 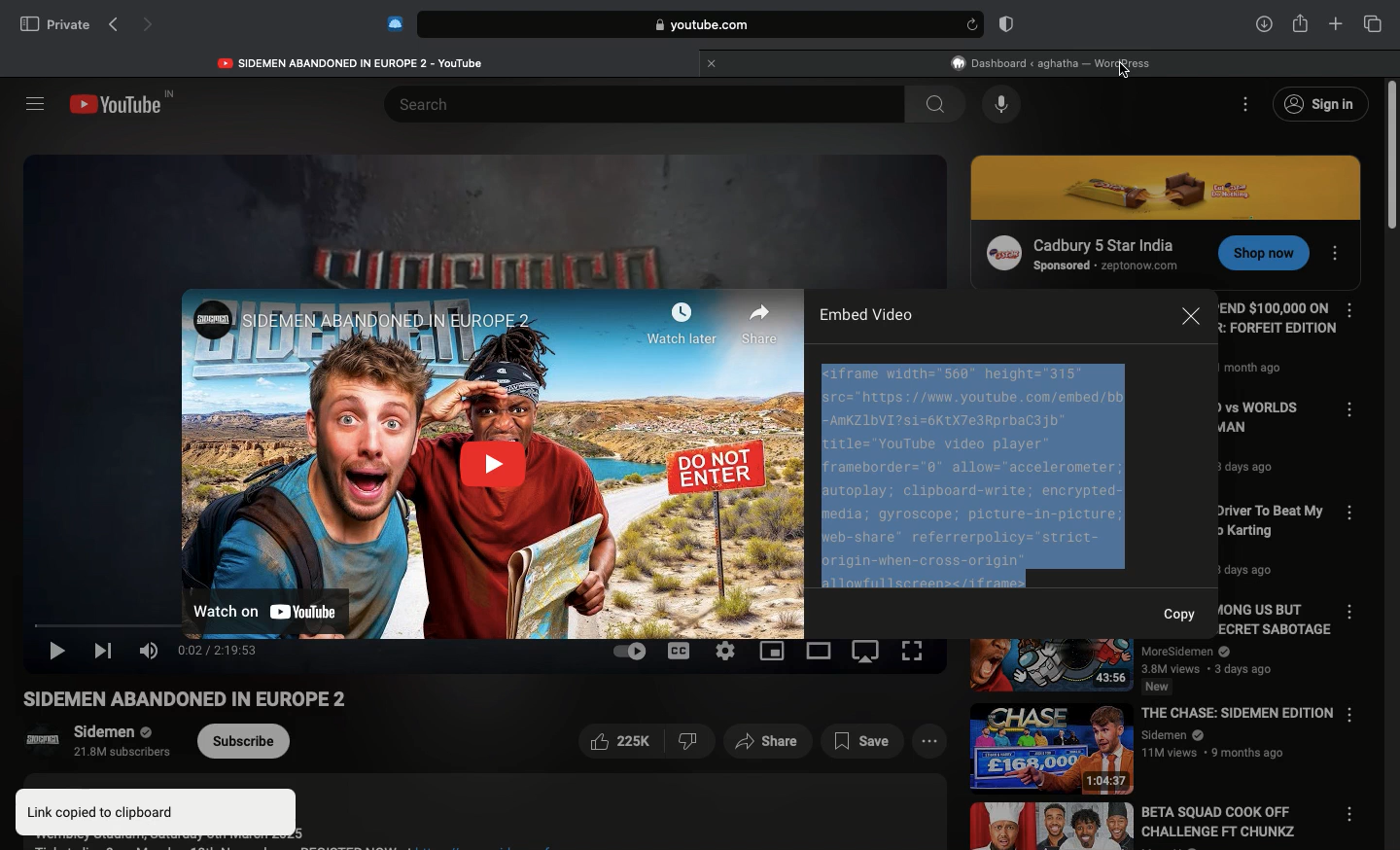 I want to click on copy, so click(x=1184, y=612).